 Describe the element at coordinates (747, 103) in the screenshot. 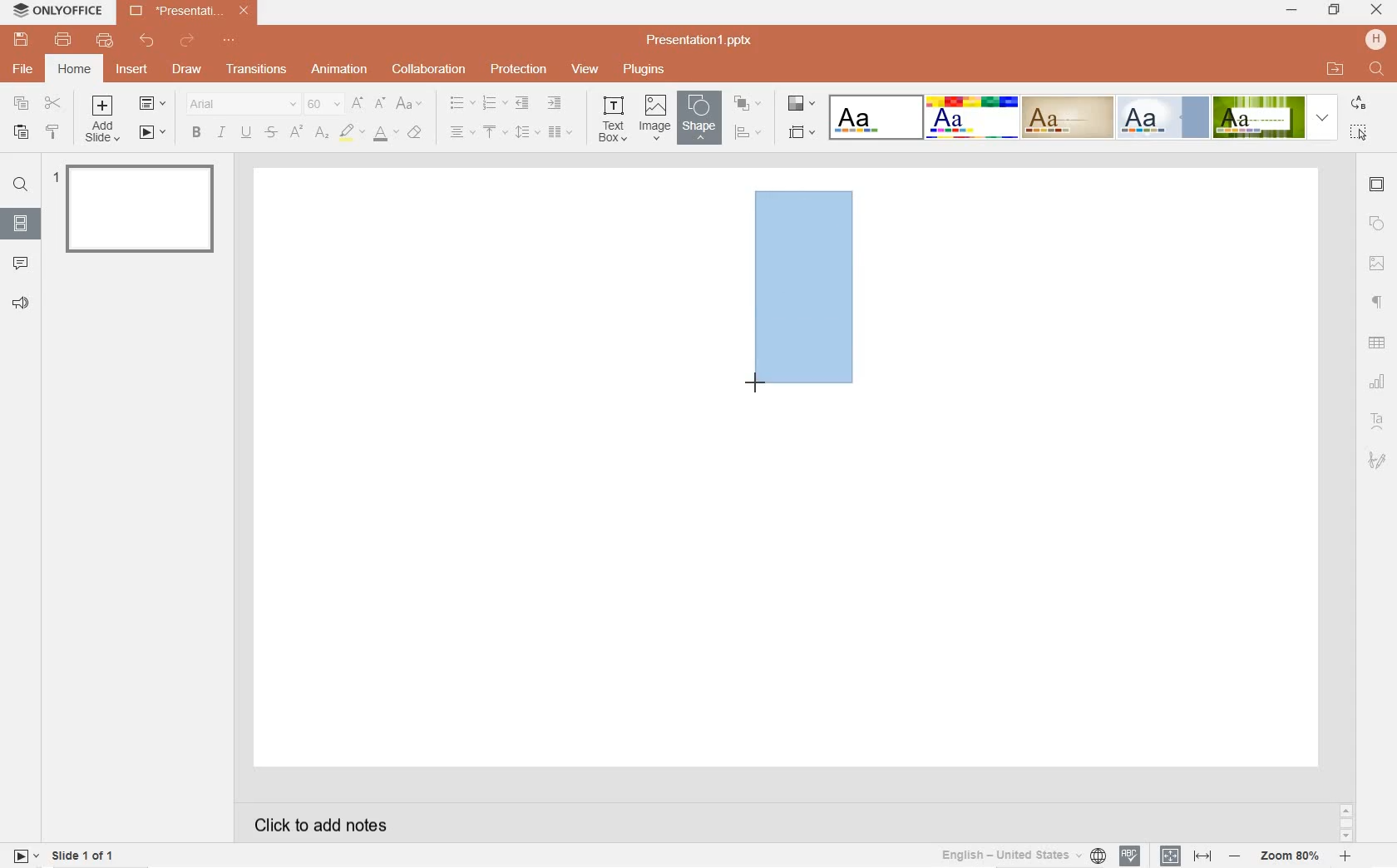

I see `arrange shape` at that location.